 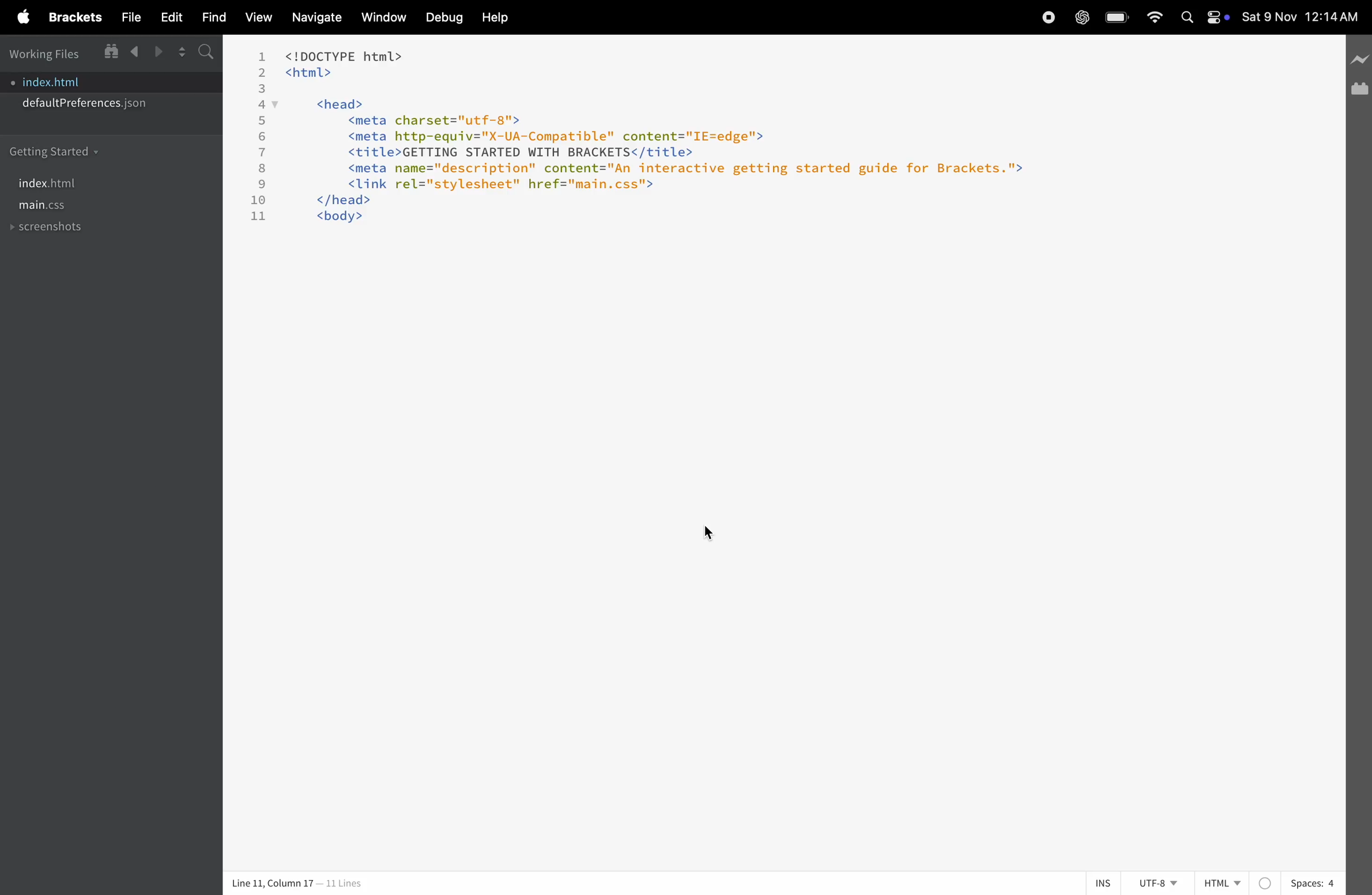 I want to click on battery, so click(x=1117, y=17).